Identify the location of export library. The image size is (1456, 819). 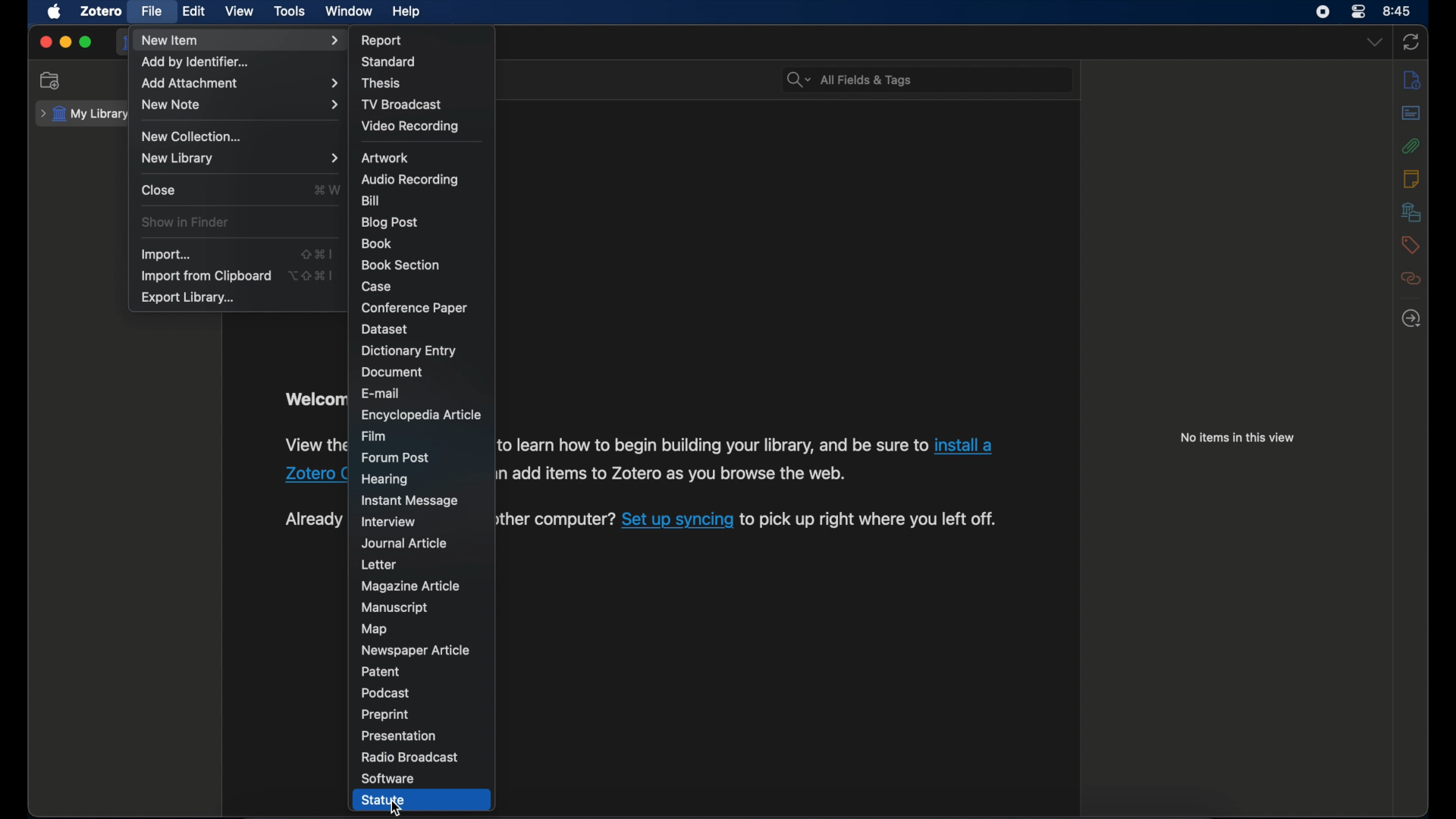
(187, 298).